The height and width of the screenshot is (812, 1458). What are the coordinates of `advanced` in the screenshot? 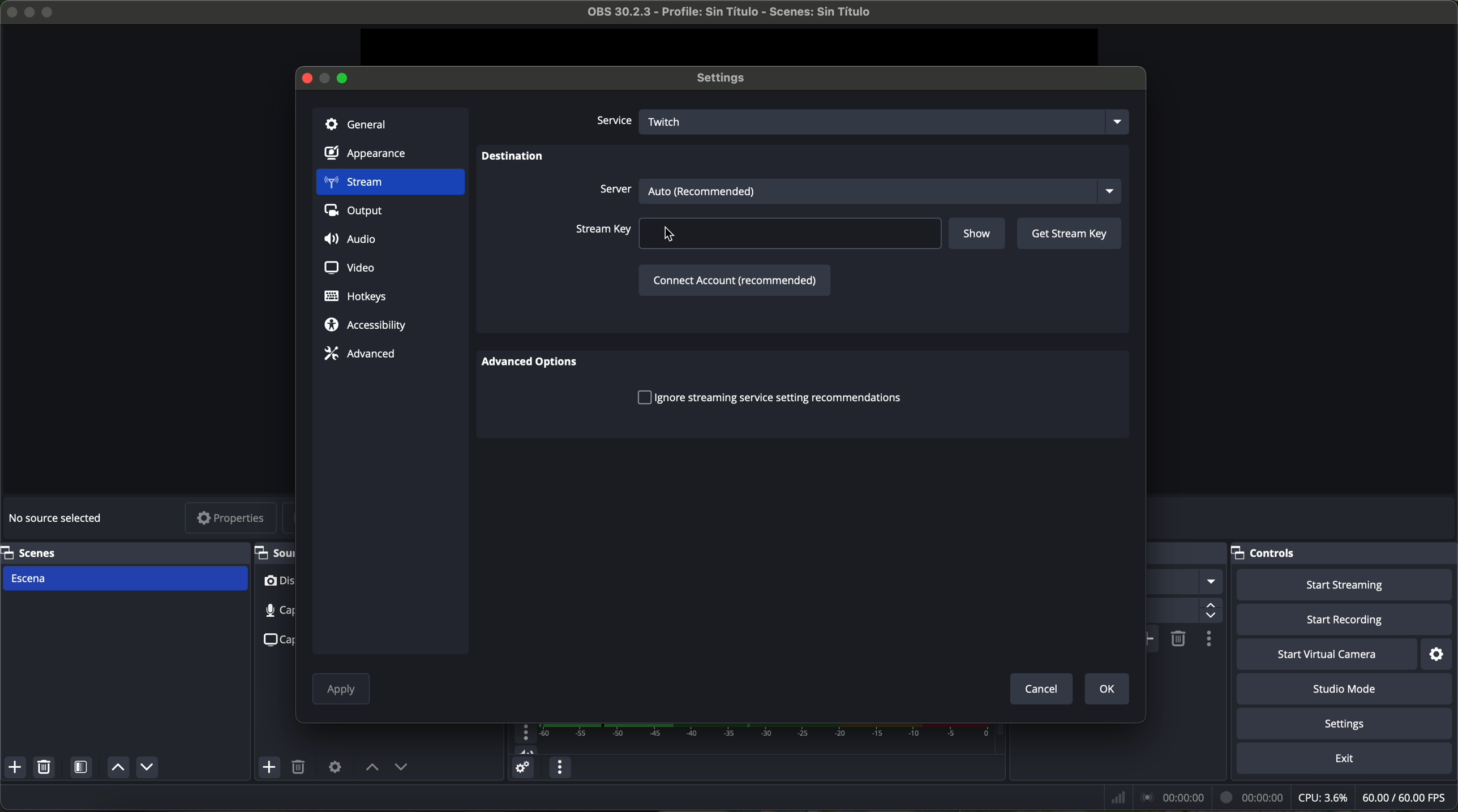 It's located at (359, 353).